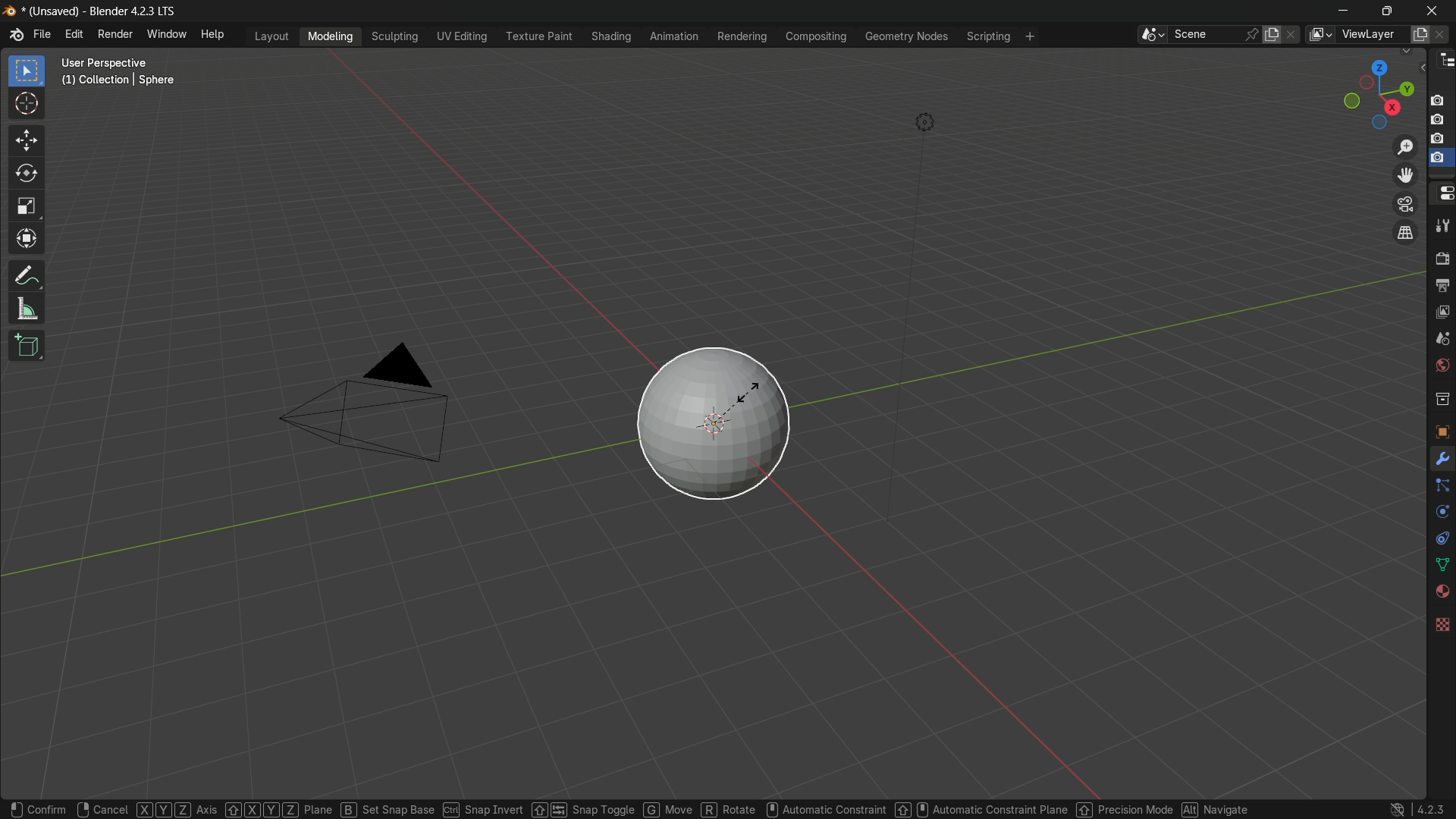  I want to click on Move, so click(677, 806).